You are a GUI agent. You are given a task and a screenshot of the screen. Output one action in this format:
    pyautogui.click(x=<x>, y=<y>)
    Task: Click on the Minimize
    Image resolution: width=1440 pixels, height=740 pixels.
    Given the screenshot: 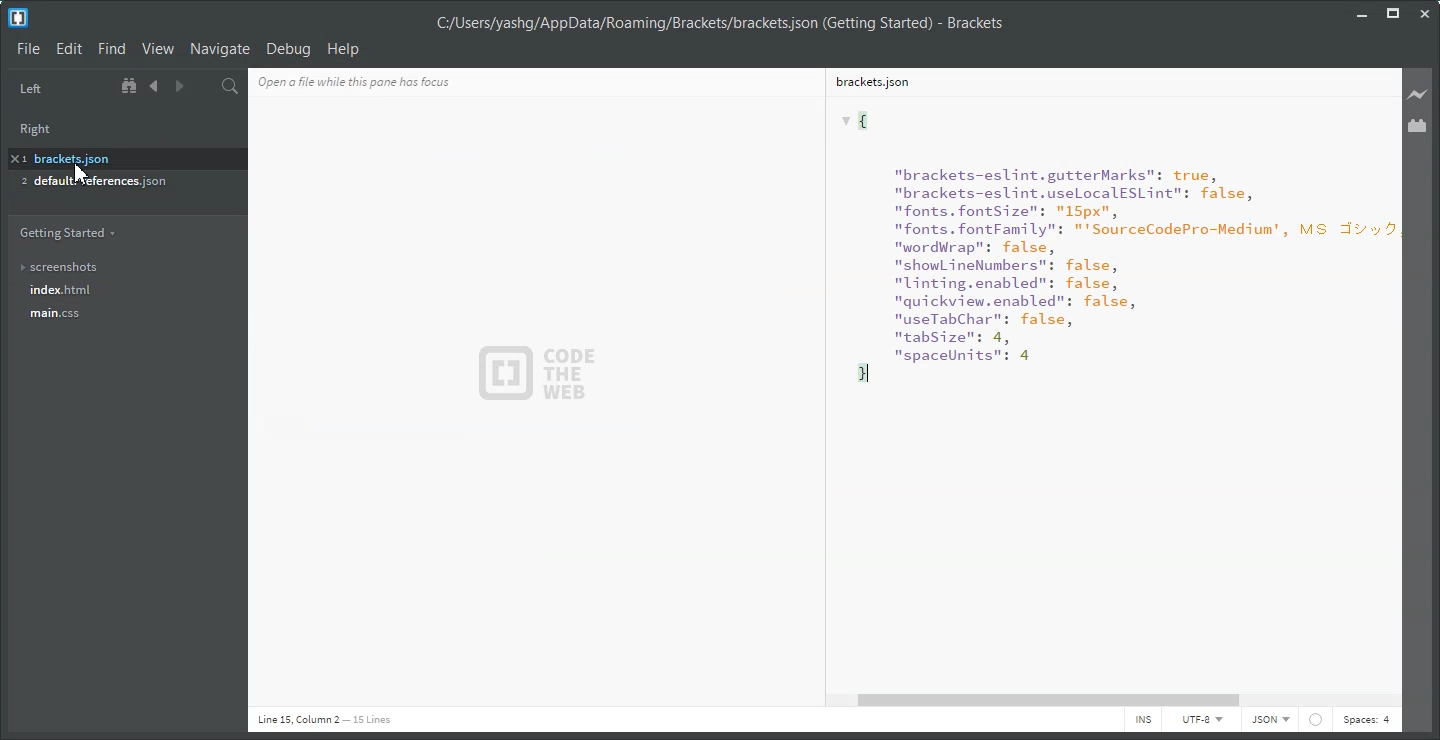 What is the action you would take?
    pyautogui.click(x=1363, y=12)
    